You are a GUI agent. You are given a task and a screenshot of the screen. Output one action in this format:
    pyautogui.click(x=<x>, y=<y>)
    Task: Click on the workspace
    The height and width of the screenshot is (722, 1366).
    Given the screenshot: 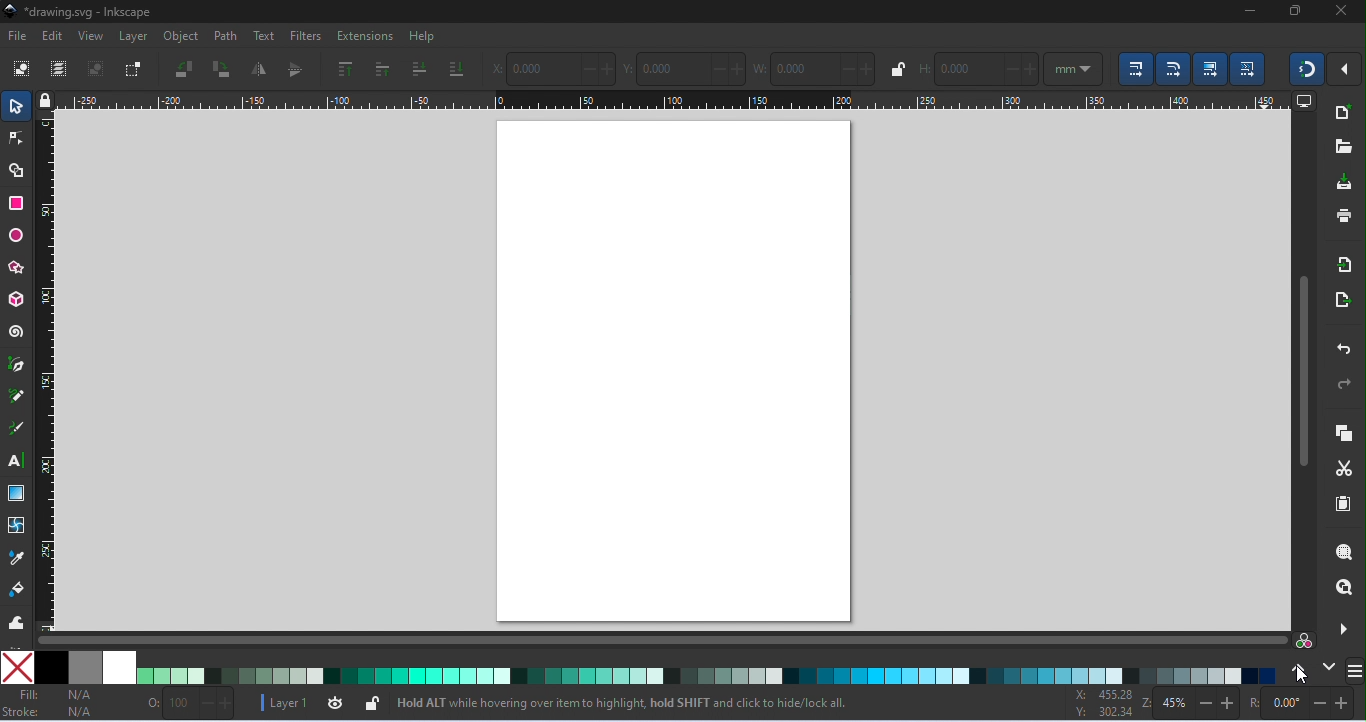 What is the action you would take?
    pyautogui.click(x=677, y=372)
    